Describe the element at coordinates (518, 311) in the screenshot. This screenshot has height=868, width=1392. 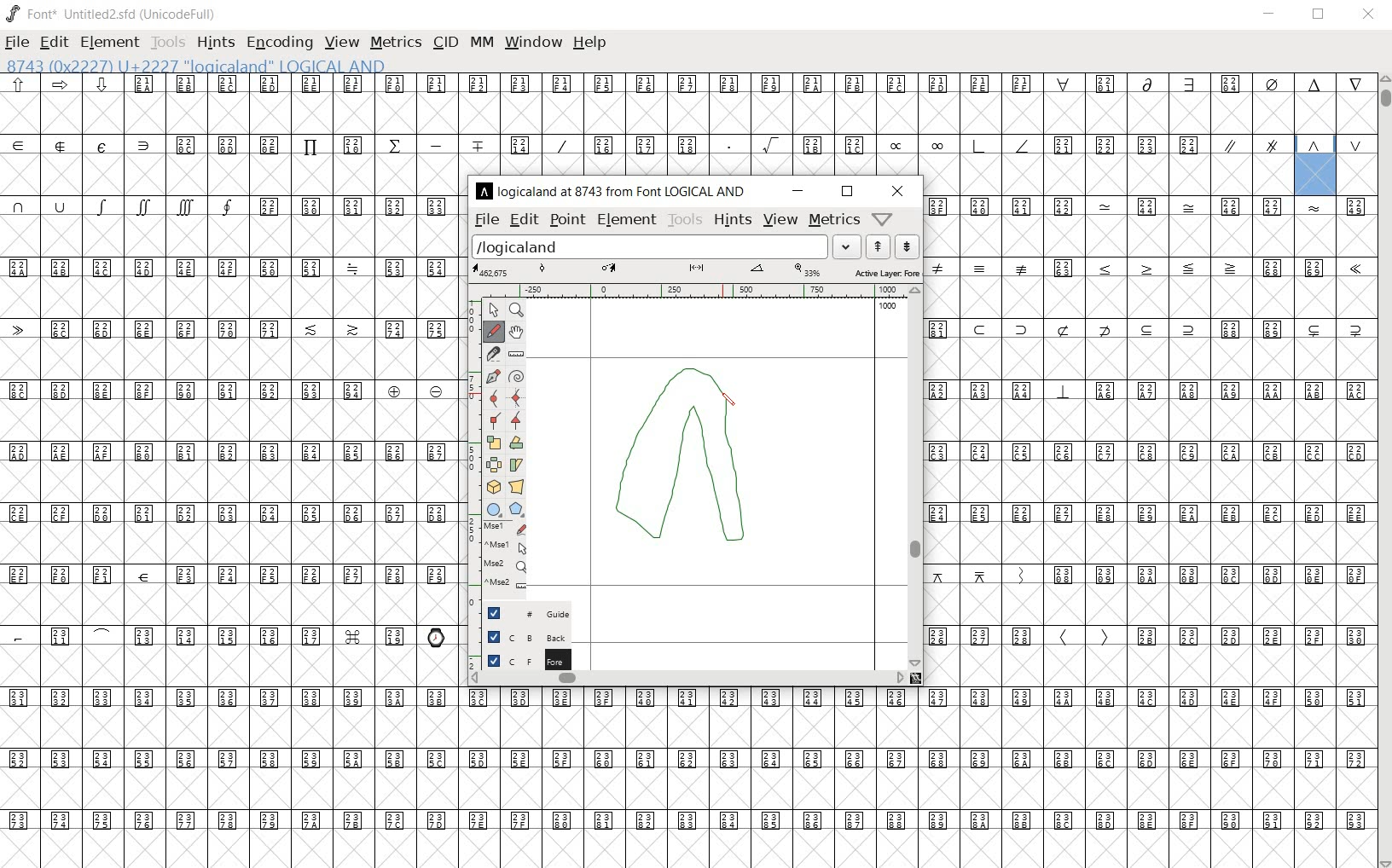
I see `MAGNIFY` at that location.